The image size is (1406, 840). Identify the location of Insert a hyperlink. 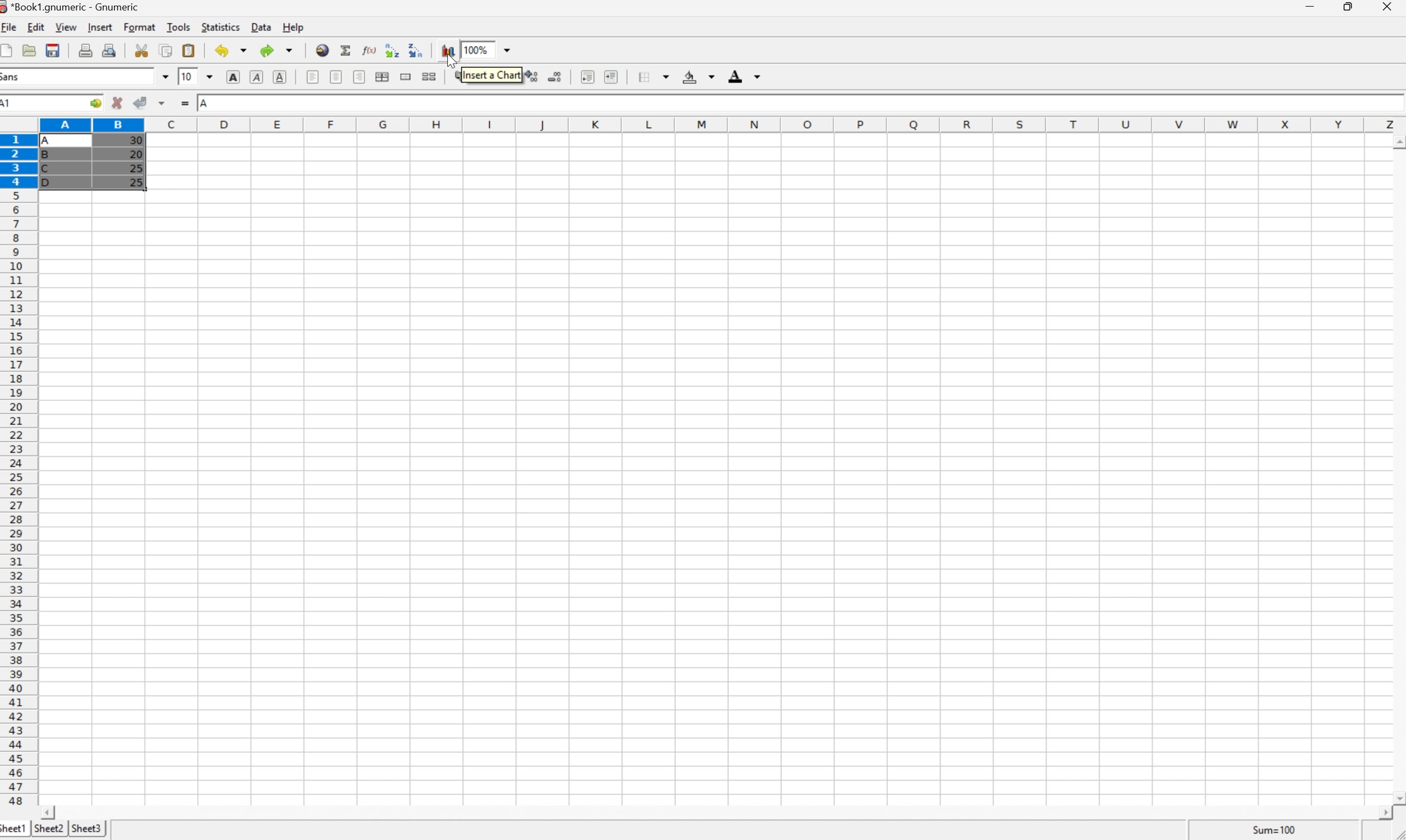
(323, 50).